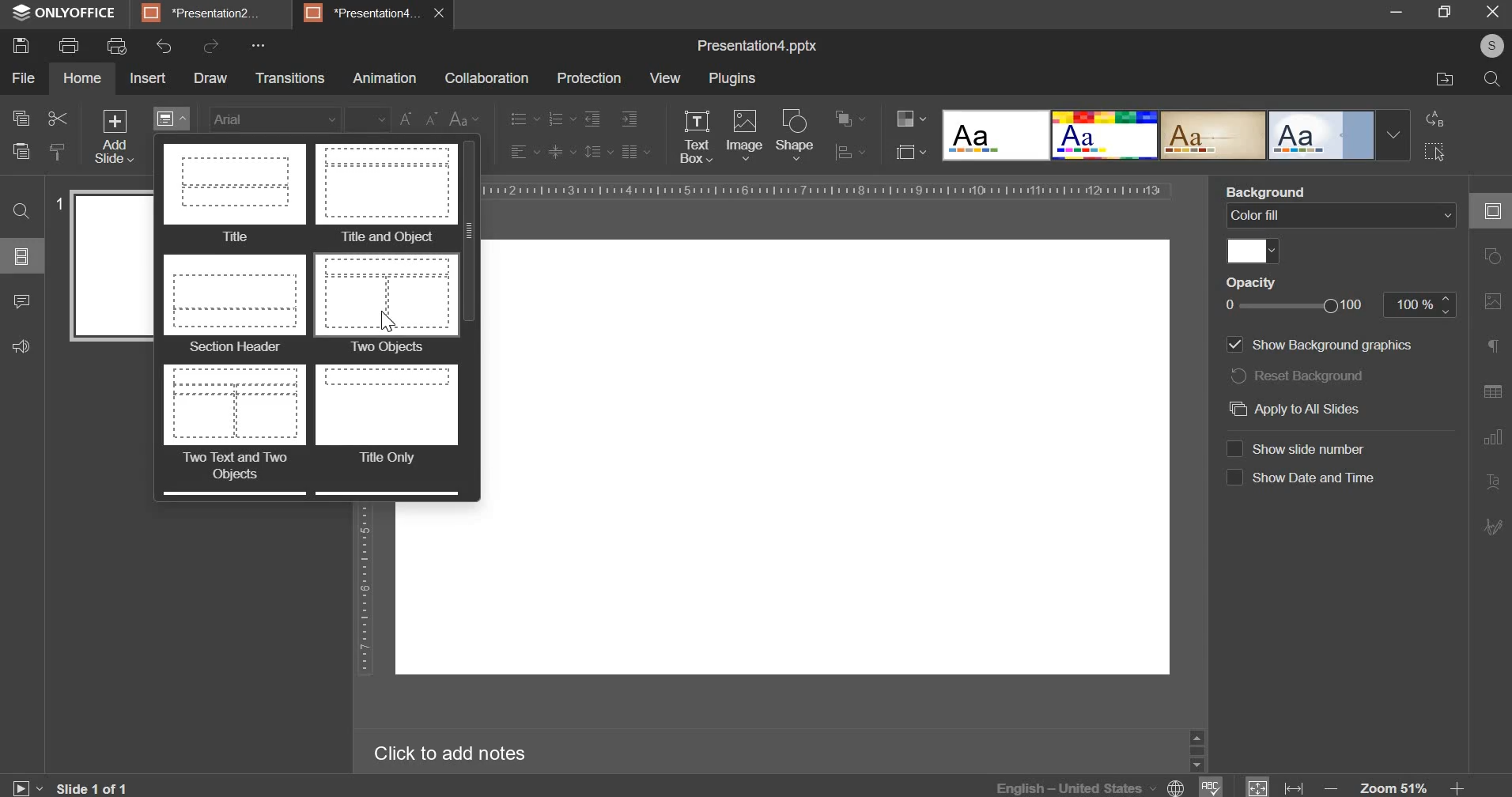 The width and height of the screenshot is (1512, 797). Describe the element at coordinates (1106, 136) in the screenshot. I see `design` at that location.